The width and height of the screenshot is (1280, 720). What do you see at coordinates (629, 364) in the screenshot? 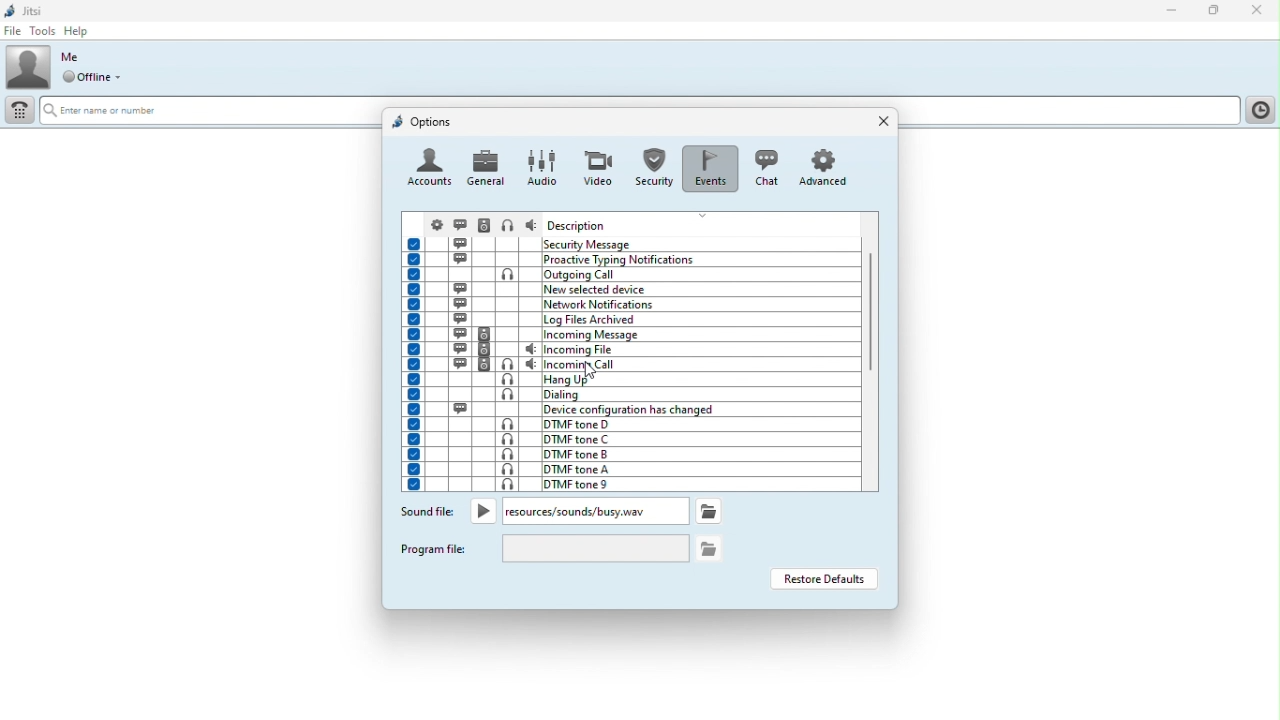
I see `incoming call` at bounding box center [629, 364].